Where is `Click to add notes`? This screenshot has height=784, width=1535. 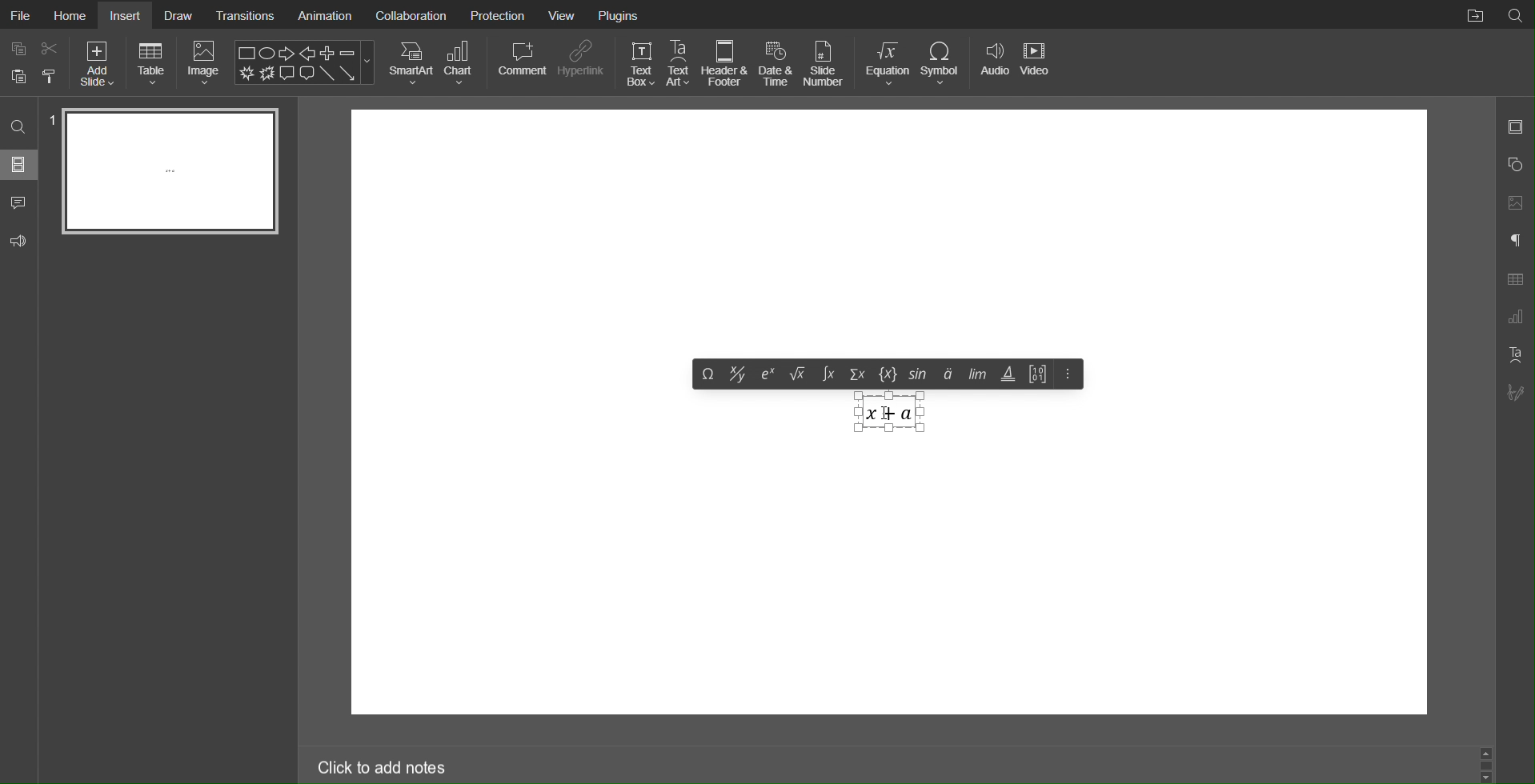 Click to add notes is located at coordinates (381, 770).